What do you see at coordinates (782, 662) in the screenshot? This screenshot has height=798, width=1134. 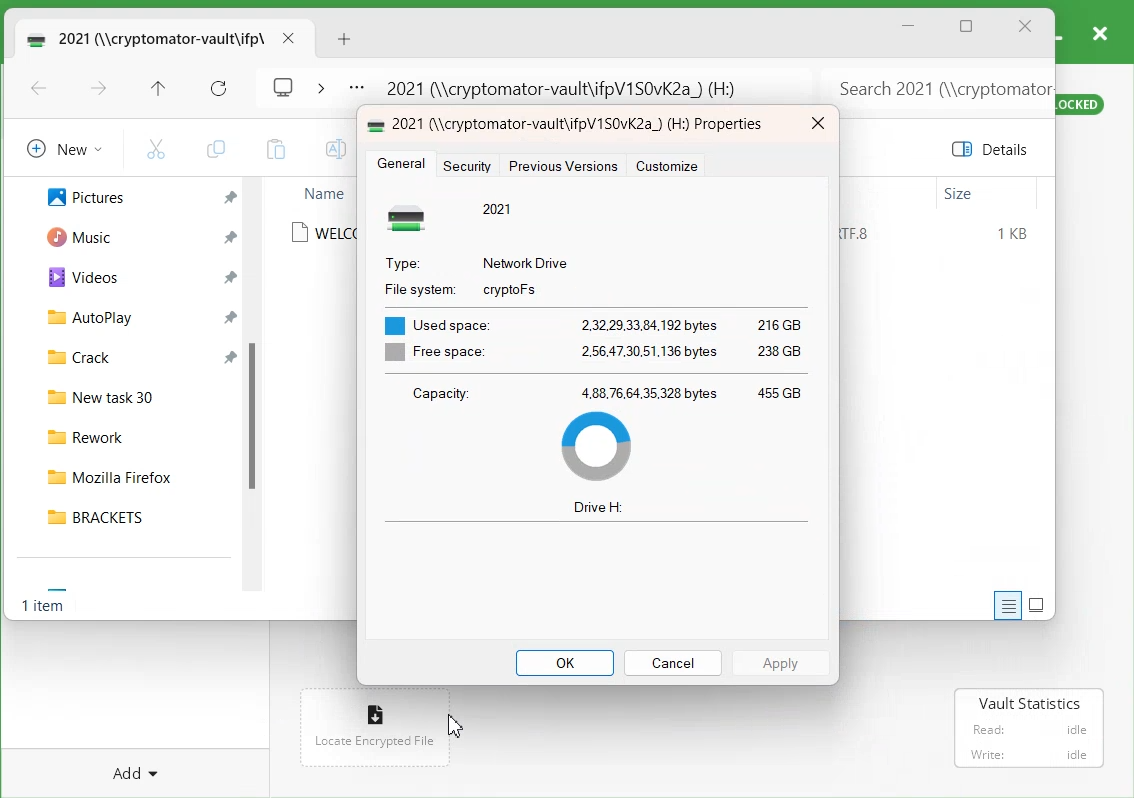 I see `Apply` at bounding box center [782, 662].